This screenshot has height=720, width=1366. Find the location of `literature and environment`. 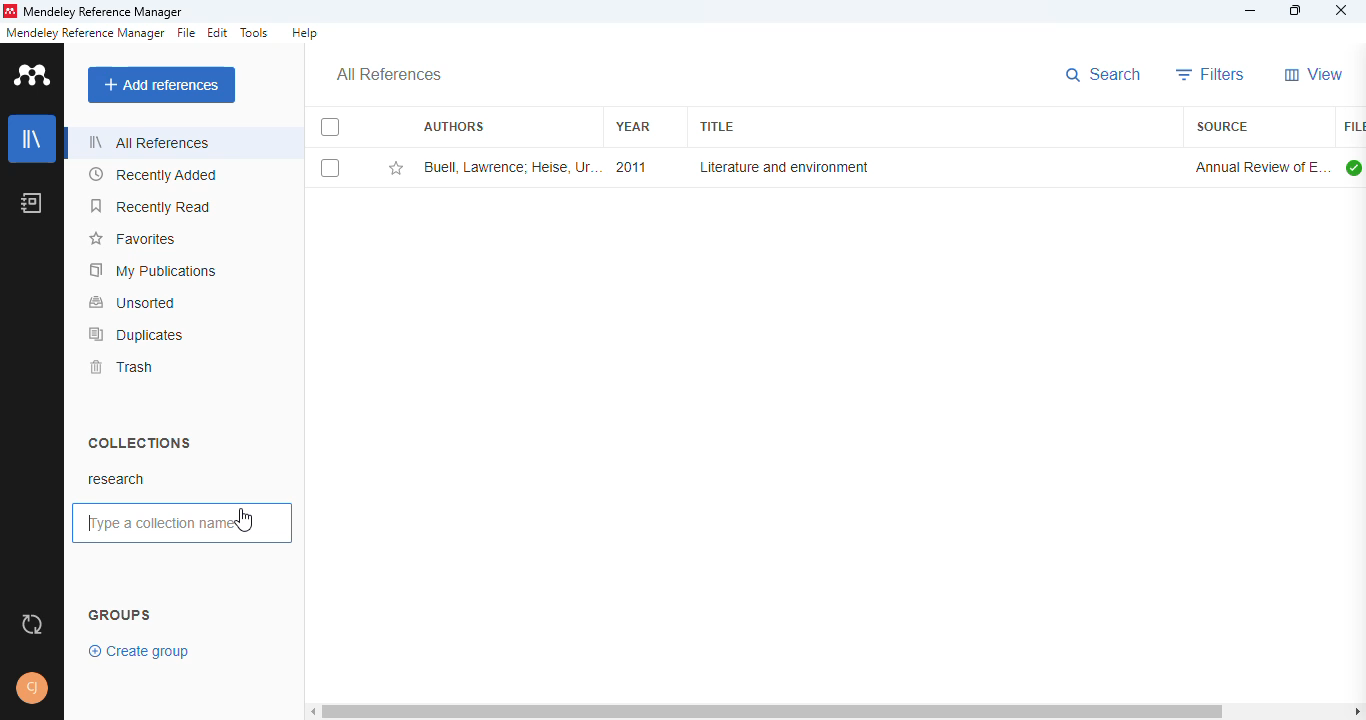

literature and environment is located at coordinates (782, 167).